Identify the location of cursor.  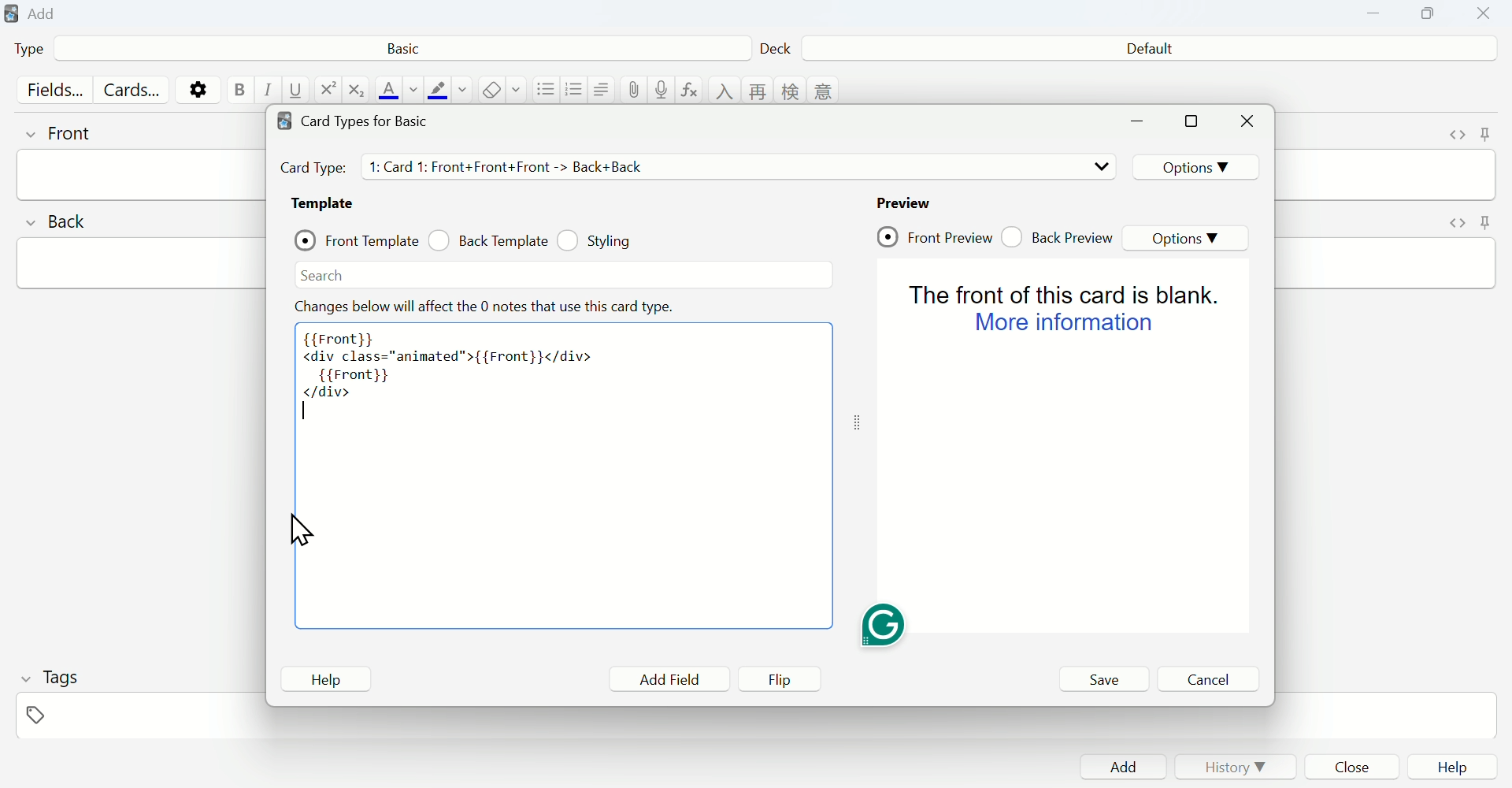
(305, 529).